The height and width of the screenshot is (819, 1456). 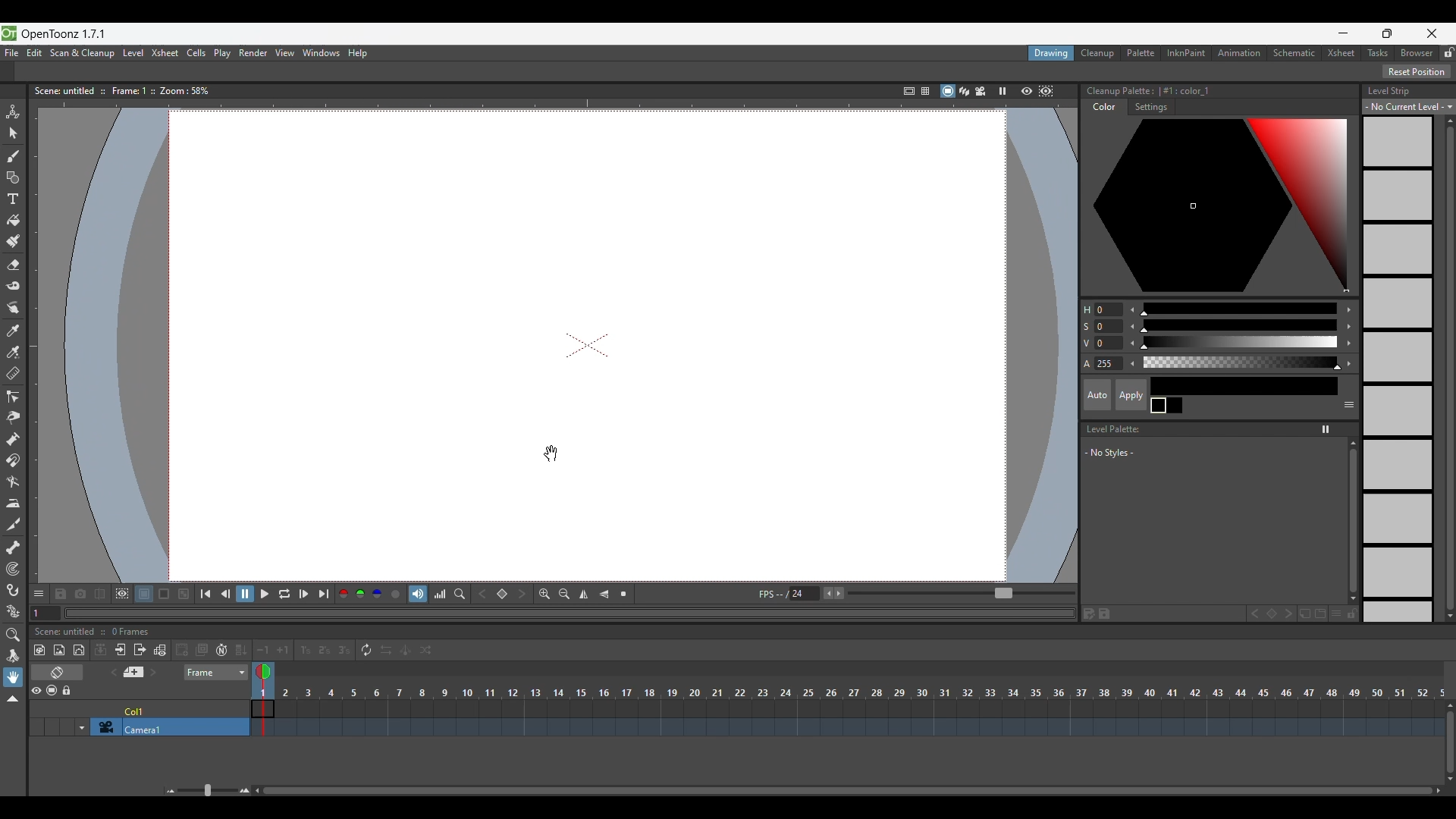 I want to click on Rotate tool, so click(x=13, y=656).